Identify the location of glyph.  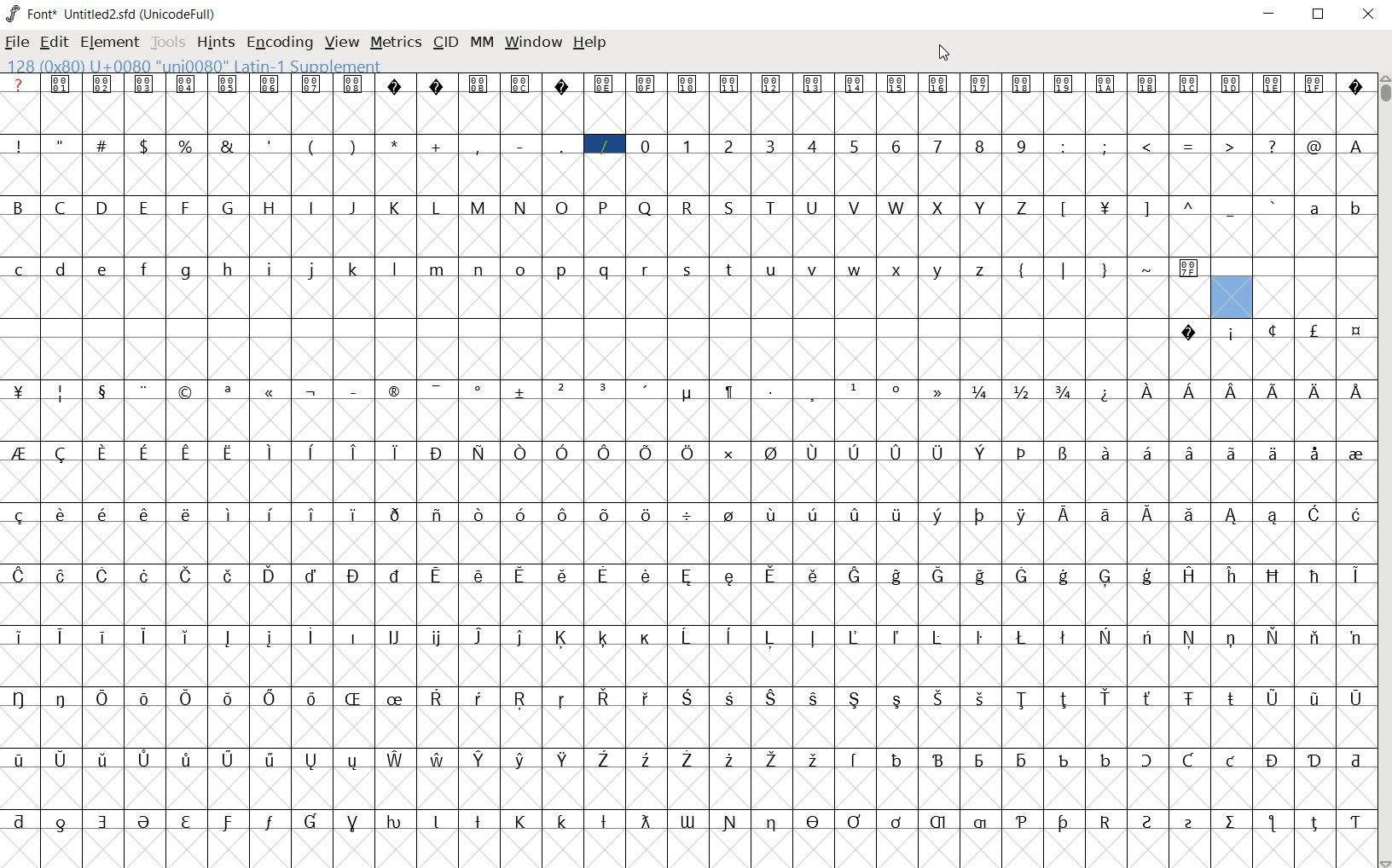
(394, 515).